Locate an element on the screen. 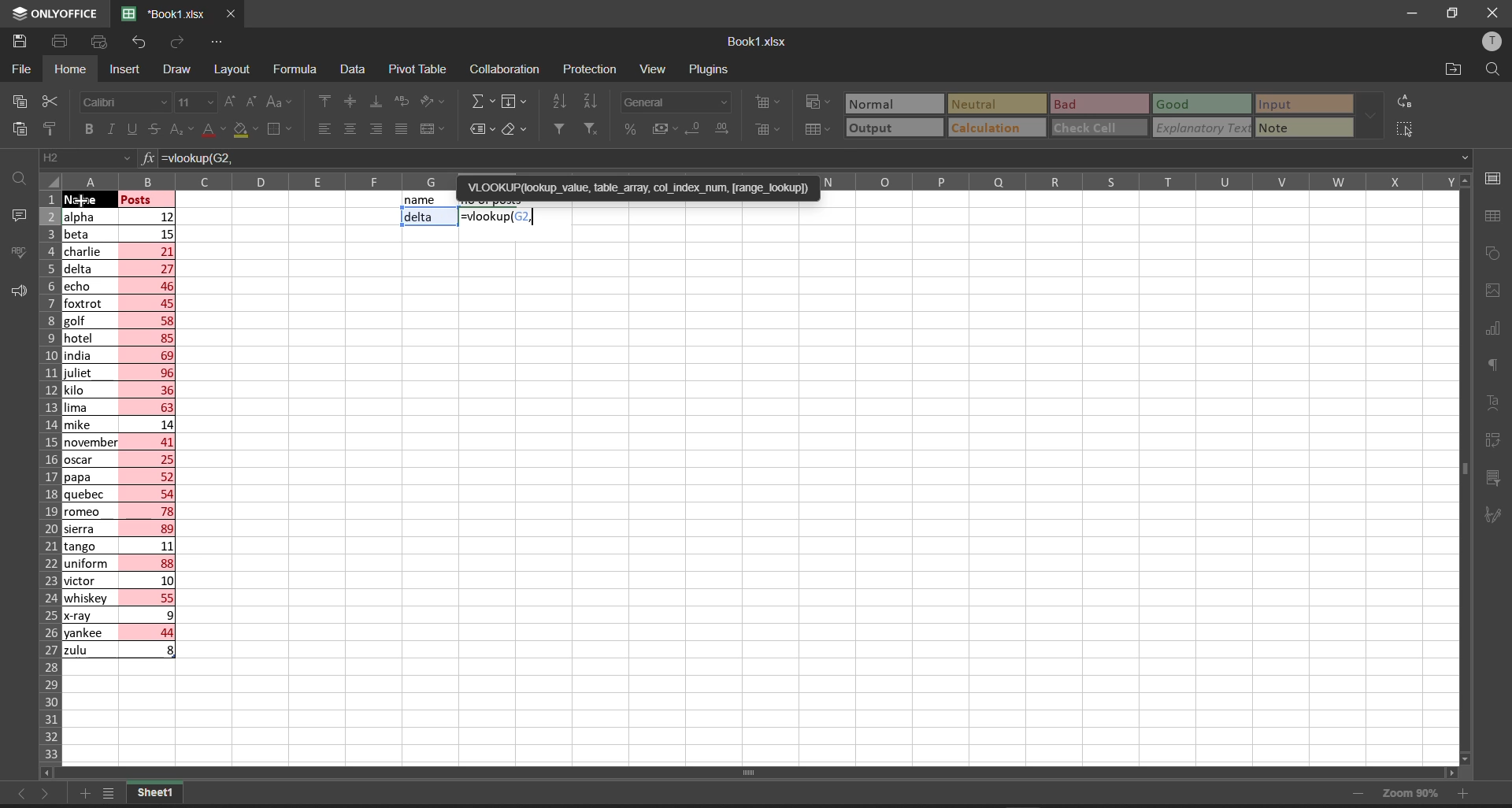 The image size is (1512, 808). save is located at coordinates (19, 42).